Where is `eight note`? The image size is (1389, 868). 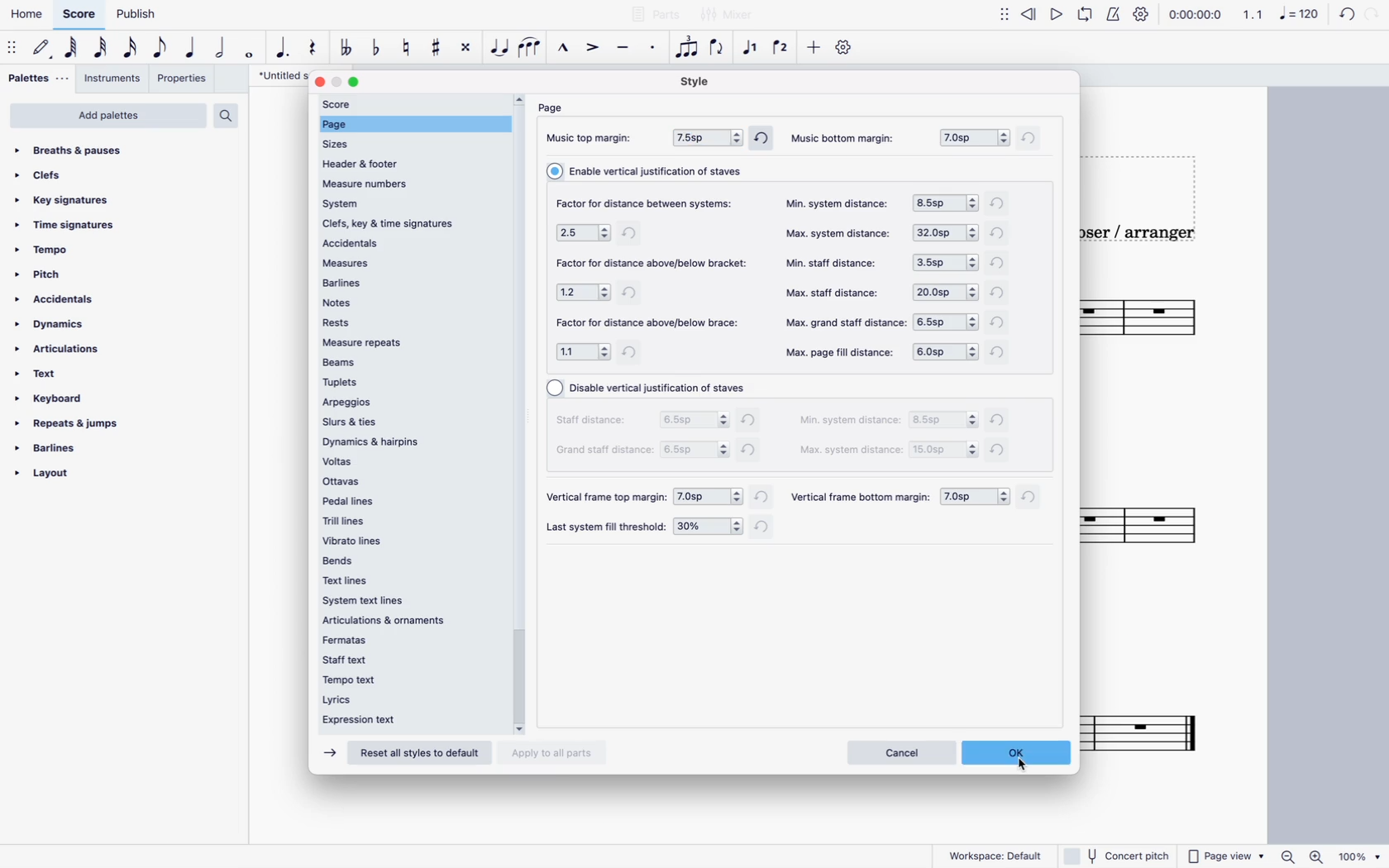
eight note is located at coordinates (160, 50).